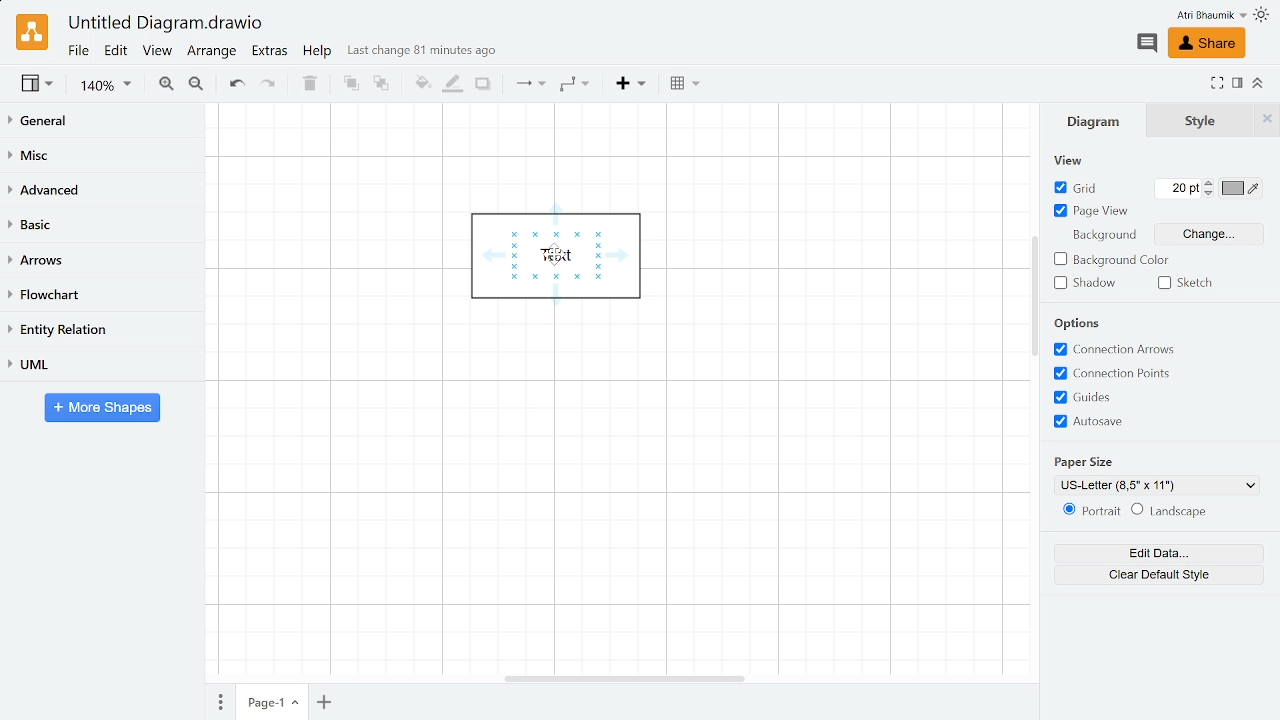  What do you see at coordinates (1157, 485) in the screenshot?
I see `Current paper size` at bounding box center [1157, 485].